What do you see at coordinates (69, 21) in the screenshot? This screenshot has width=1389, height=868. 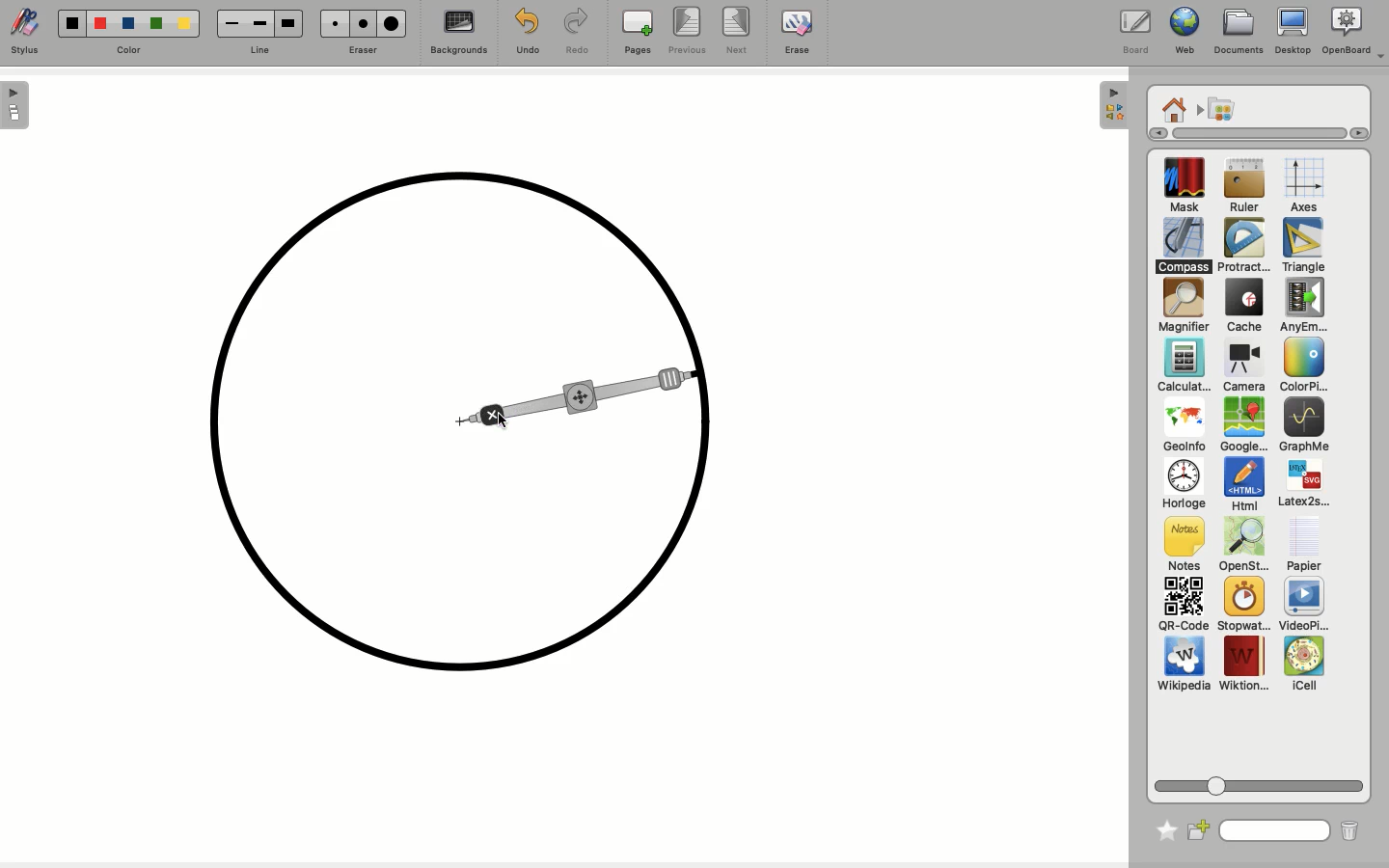 I see `color1` at bounding box center [69, 21].